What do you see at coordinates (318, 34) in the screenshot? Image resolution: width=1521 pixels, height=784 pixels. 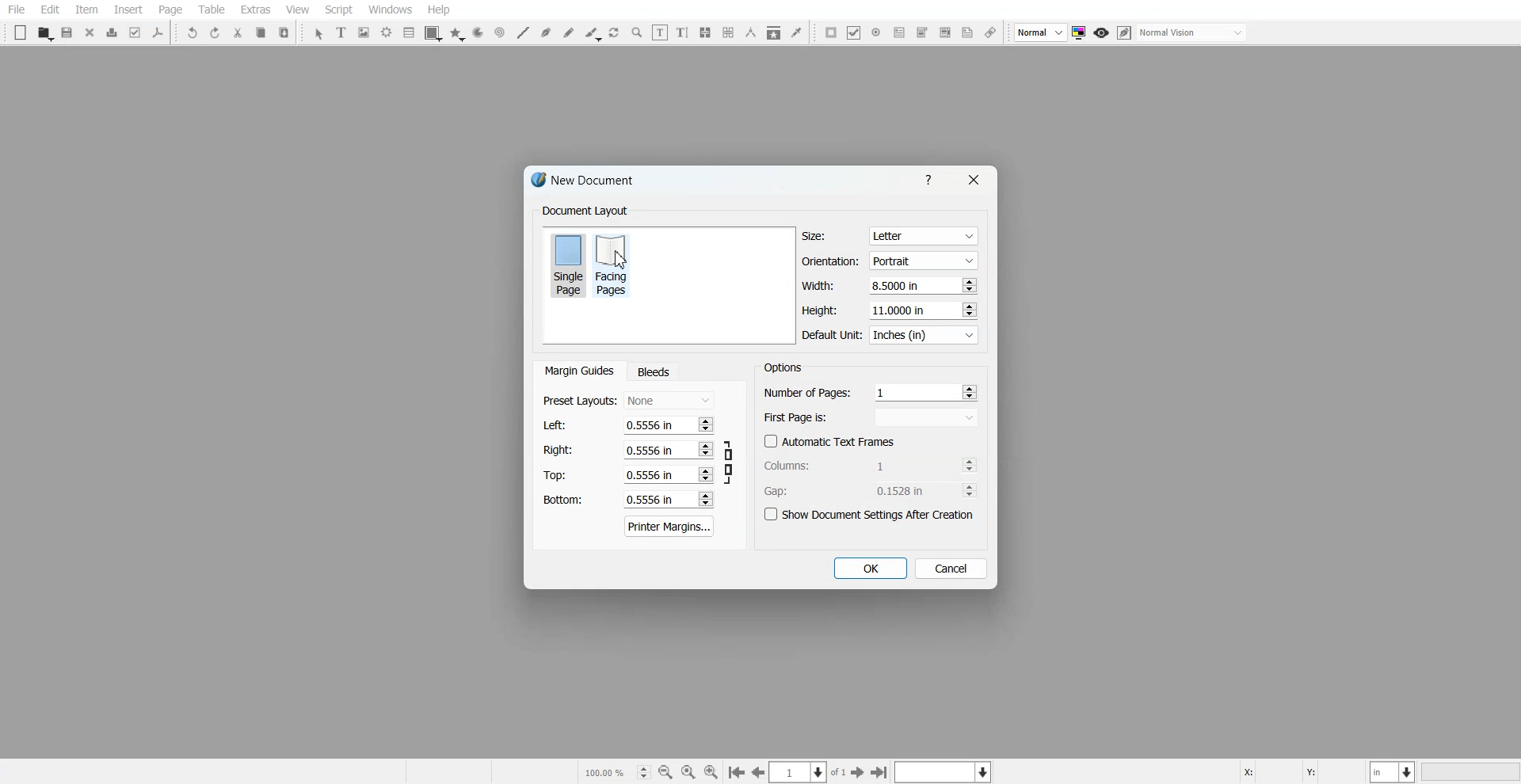 I see `Select Item` at bounding box center [318, 34].